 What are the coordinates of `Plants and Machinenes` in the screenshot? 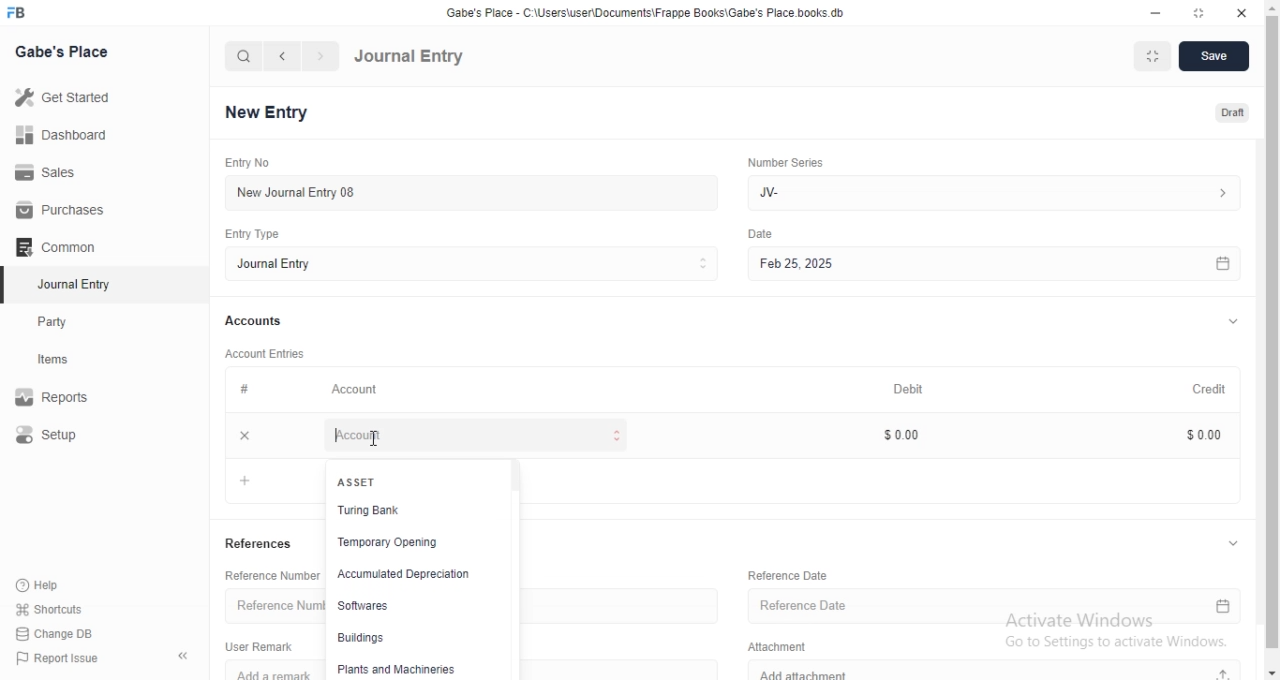 It's located at (400, 669).